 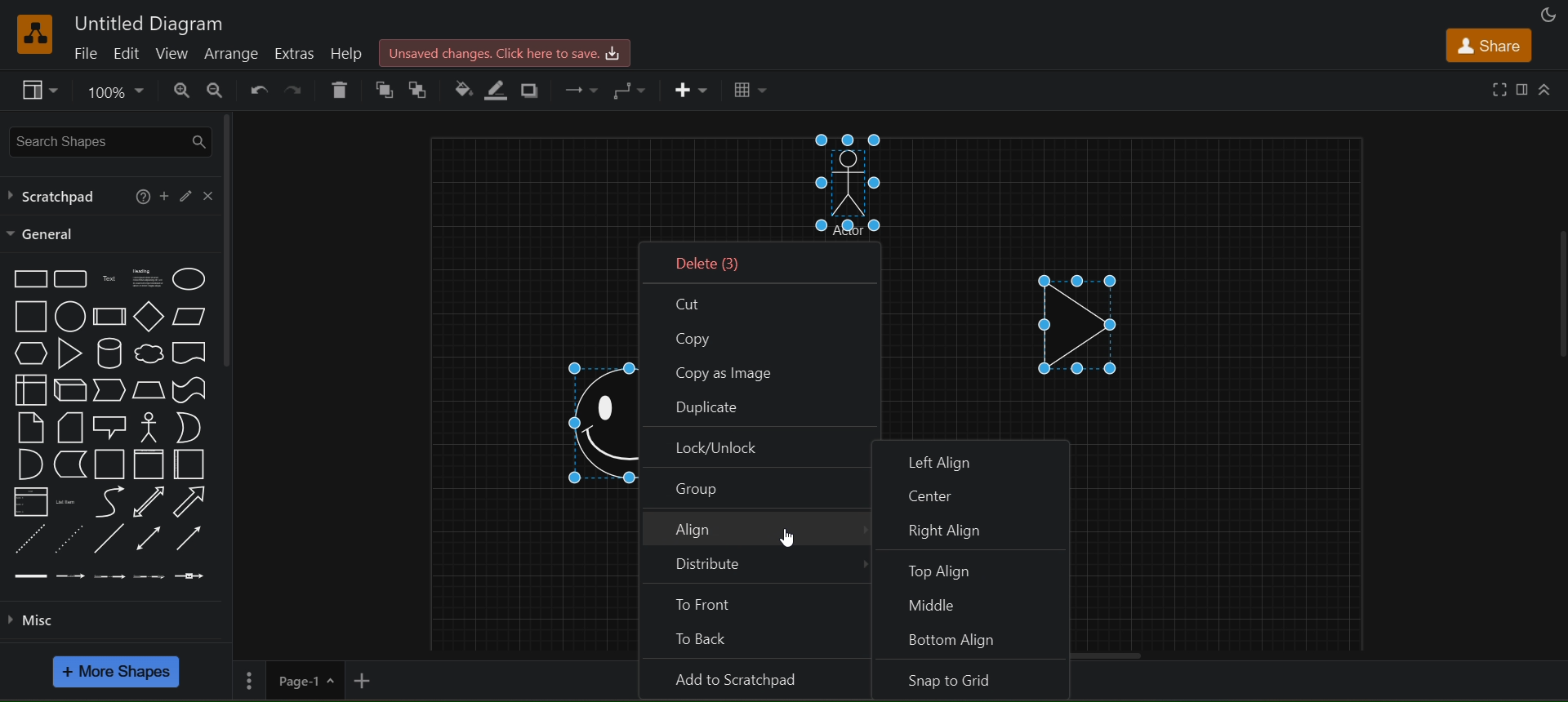 What do you see at coordinates (189, 353) in the screenshot?
I see `document` at bounding box center [189, 353].